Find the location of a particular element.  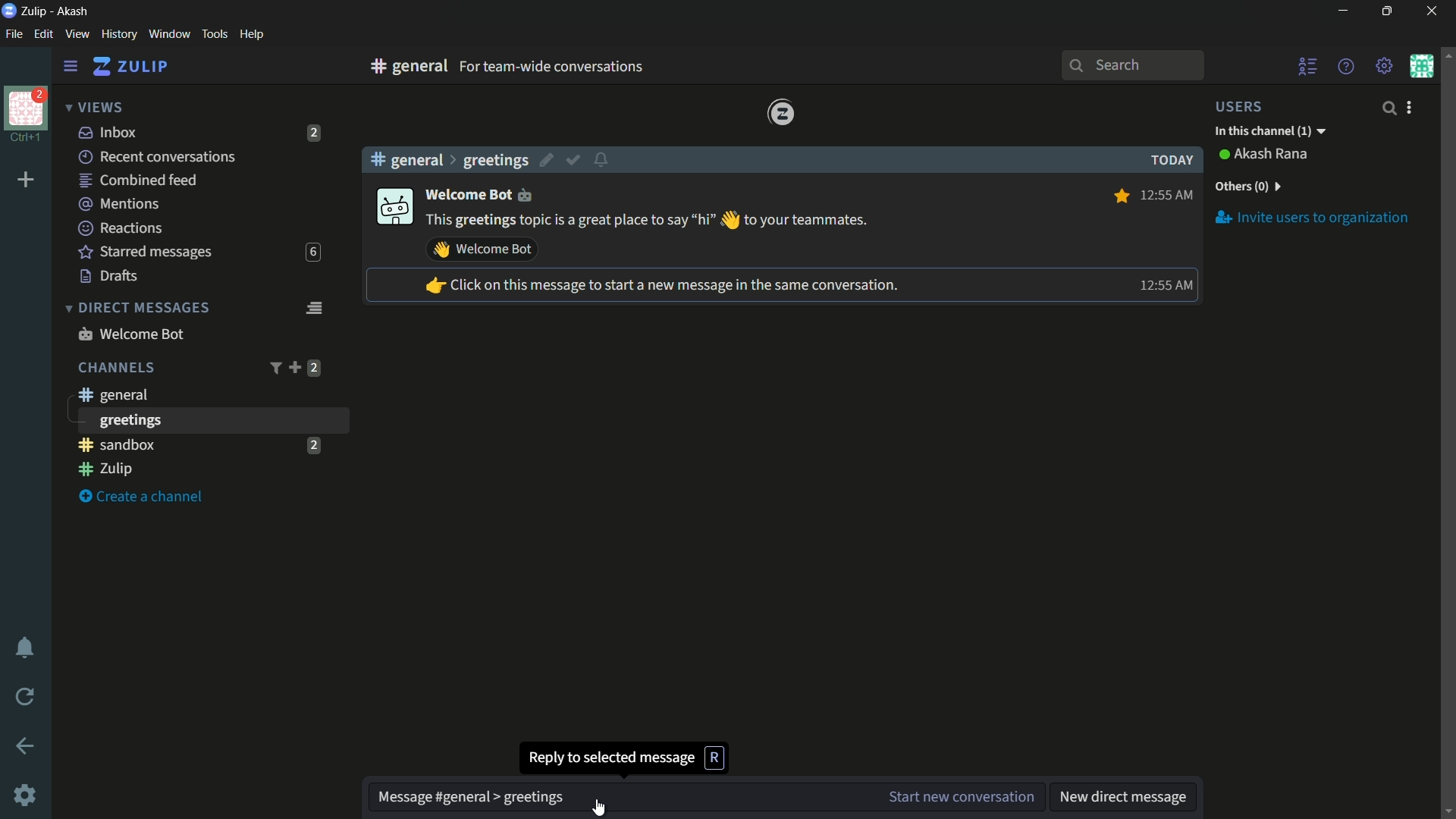

help menu is located at coordinates (251, 35).